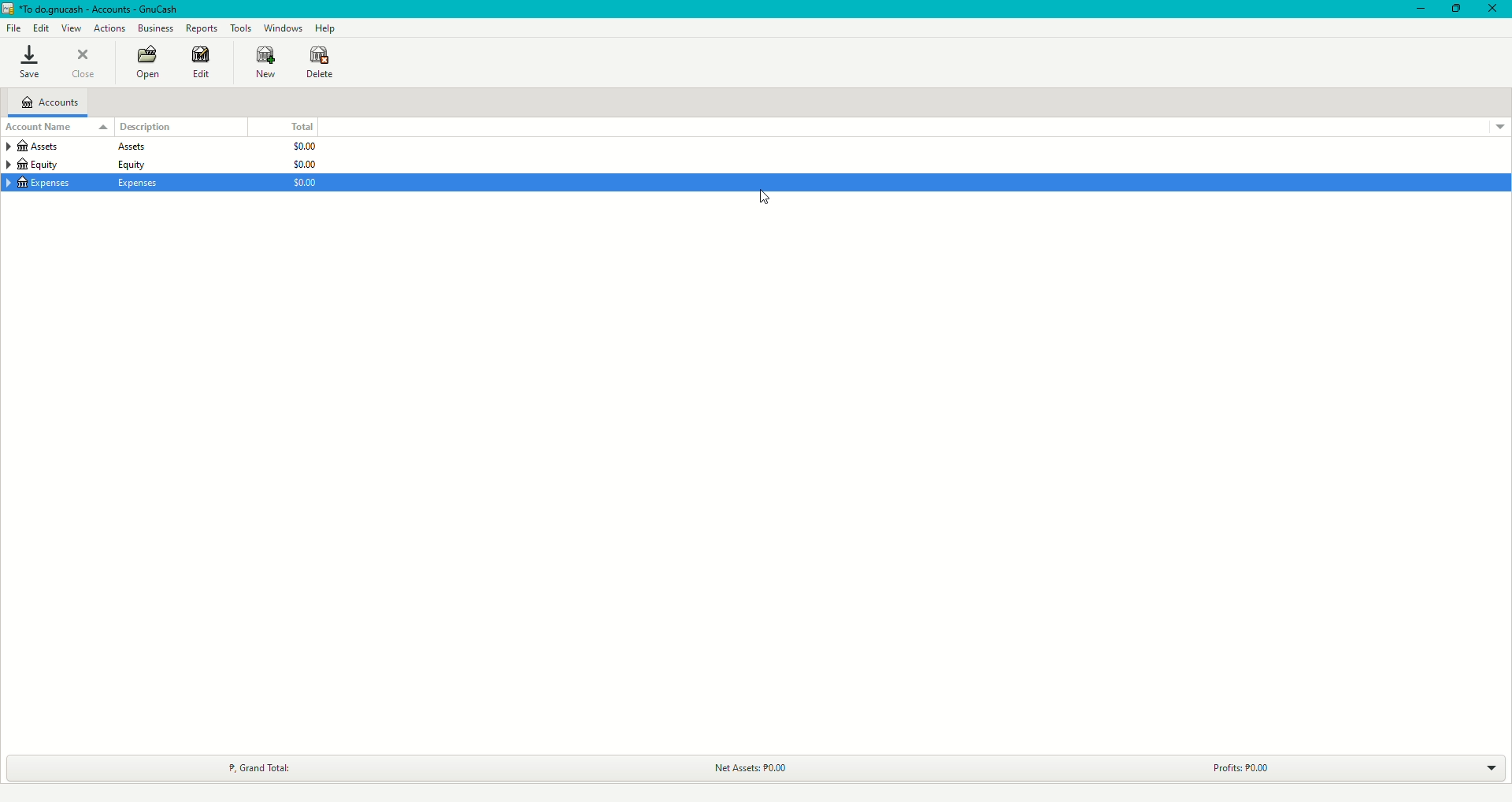 Image resolution: width=1512 pixels, height=802 pixels. What do you see at coordinates (1488, 768) in the screenshot?
I see `Drop down` at bounding box center [1488, 768].